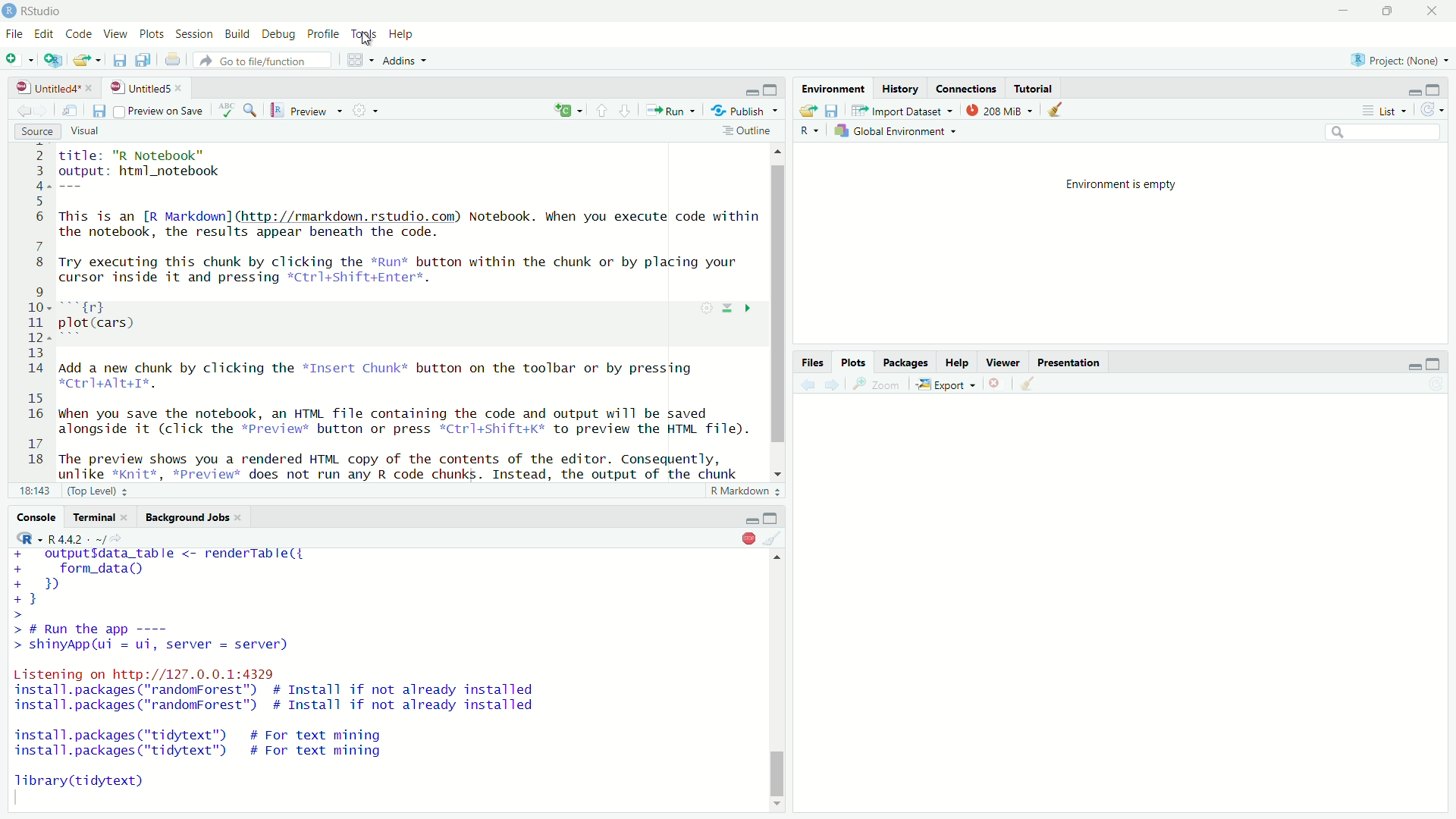 This screenshot has width=1456, height=819. I want to click on maximize, so click(773, 90).